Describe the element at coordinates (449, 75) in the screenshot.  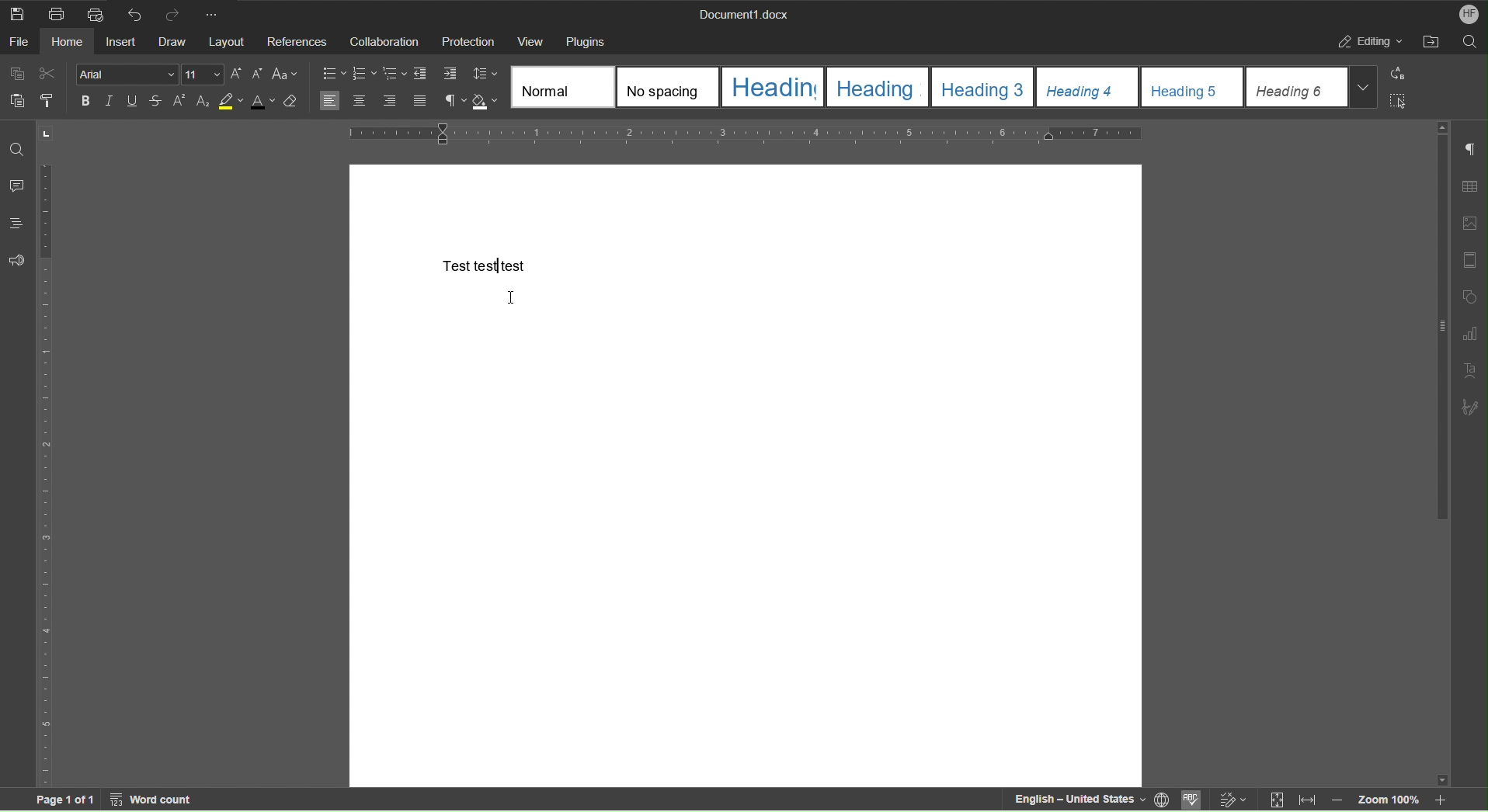
I see `Increase Indent` at that location.